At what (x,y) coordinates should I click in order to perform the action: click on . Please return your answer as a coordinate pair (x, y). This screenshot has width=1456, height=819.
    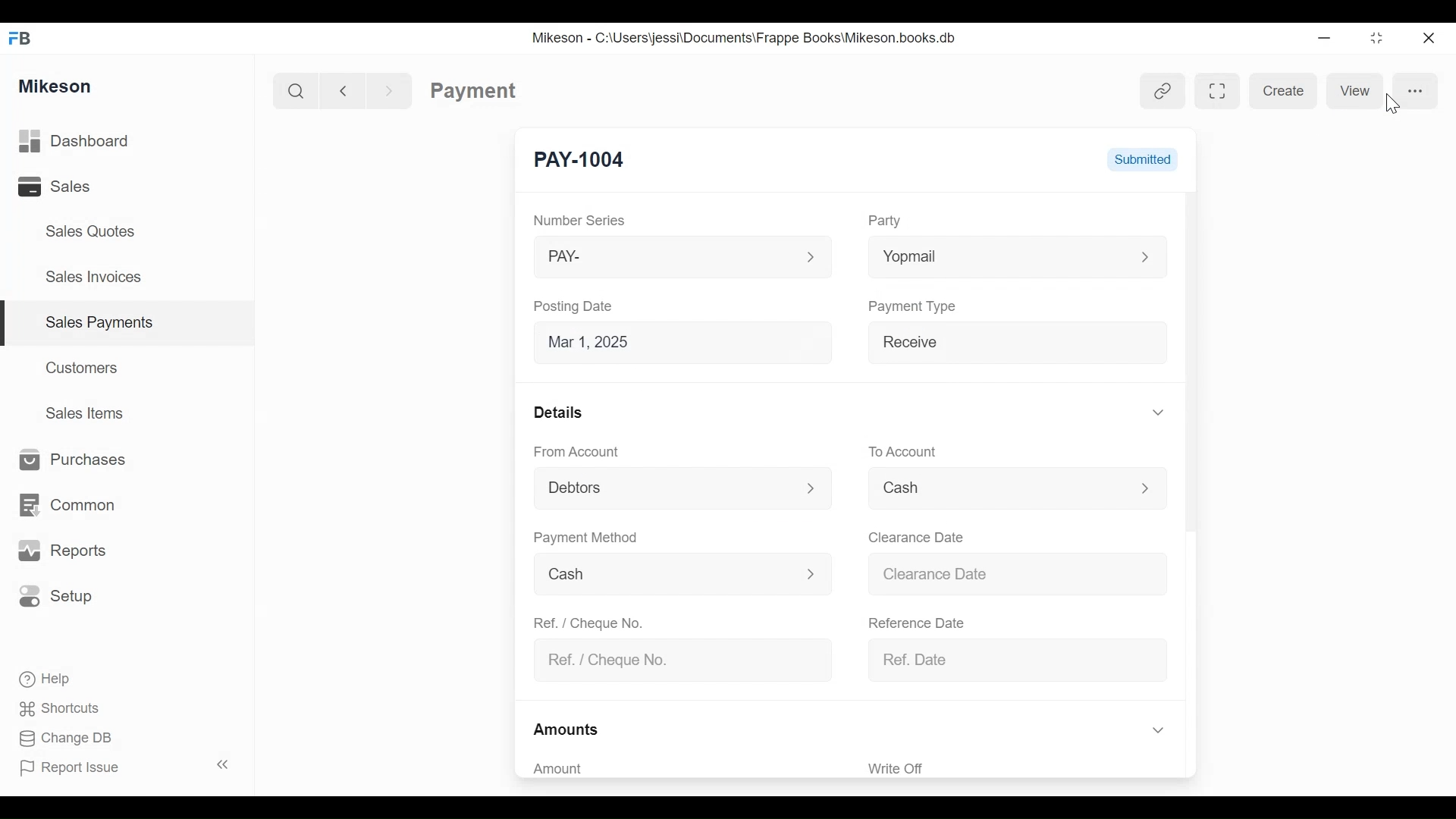
    Looking at the image, I should click on (1016, 484).